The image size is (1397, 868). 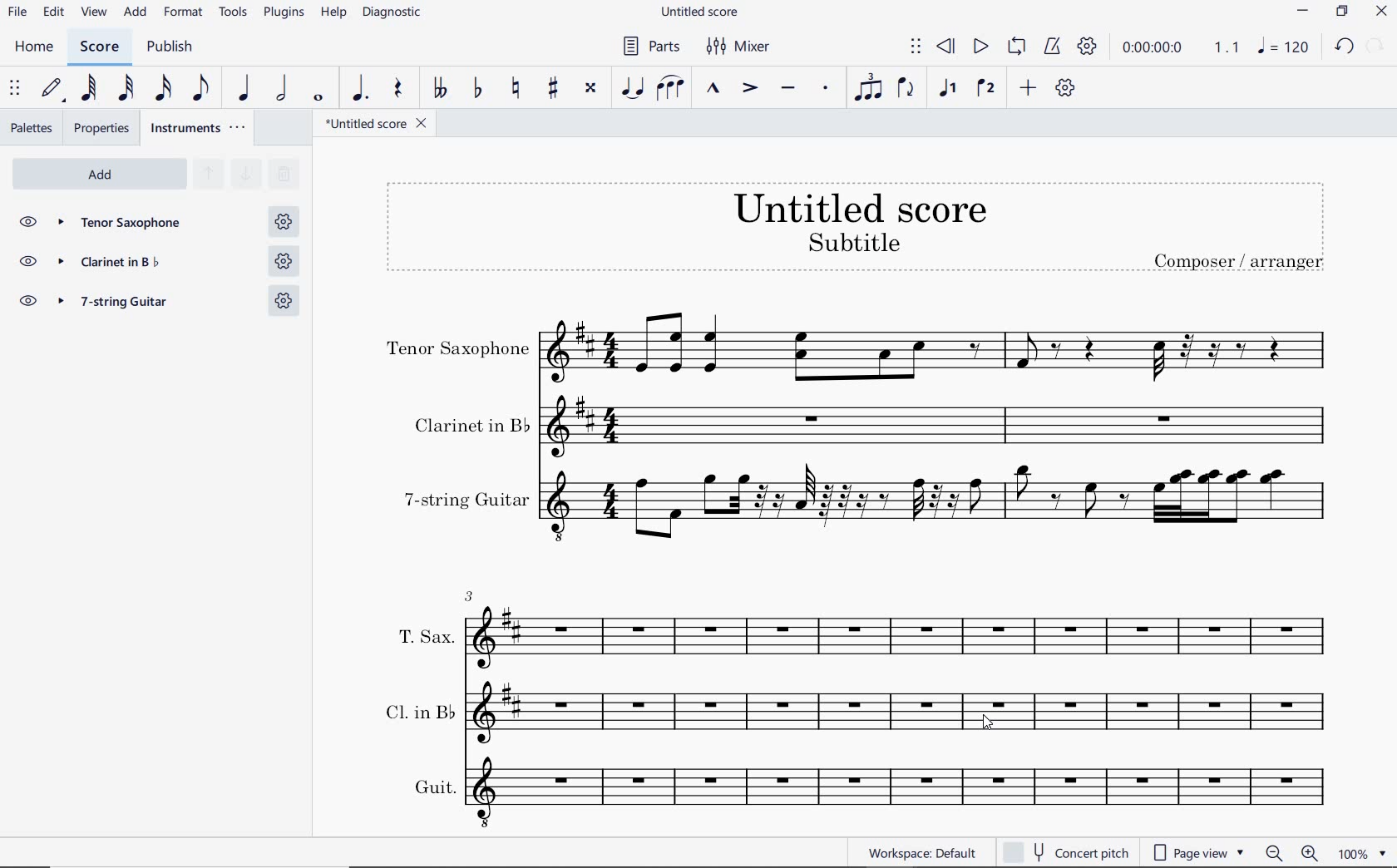 What do you see at coordinates (1014, 47) in the screenshot?
I see `LOOP PLAYBACK` at bounding box center [1014, 47].